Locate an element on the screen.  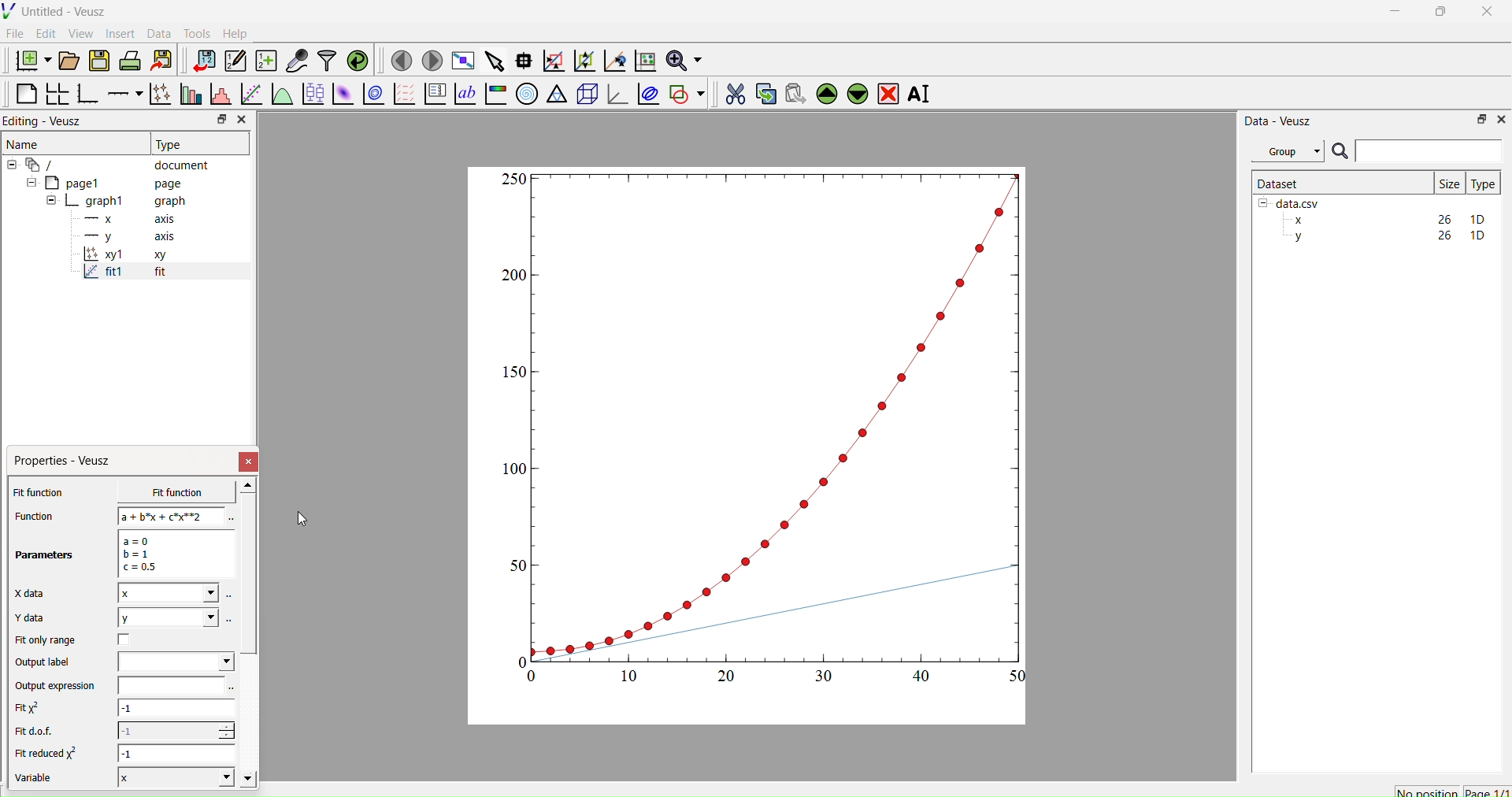
Full screen is located at coordinates (460, 61).